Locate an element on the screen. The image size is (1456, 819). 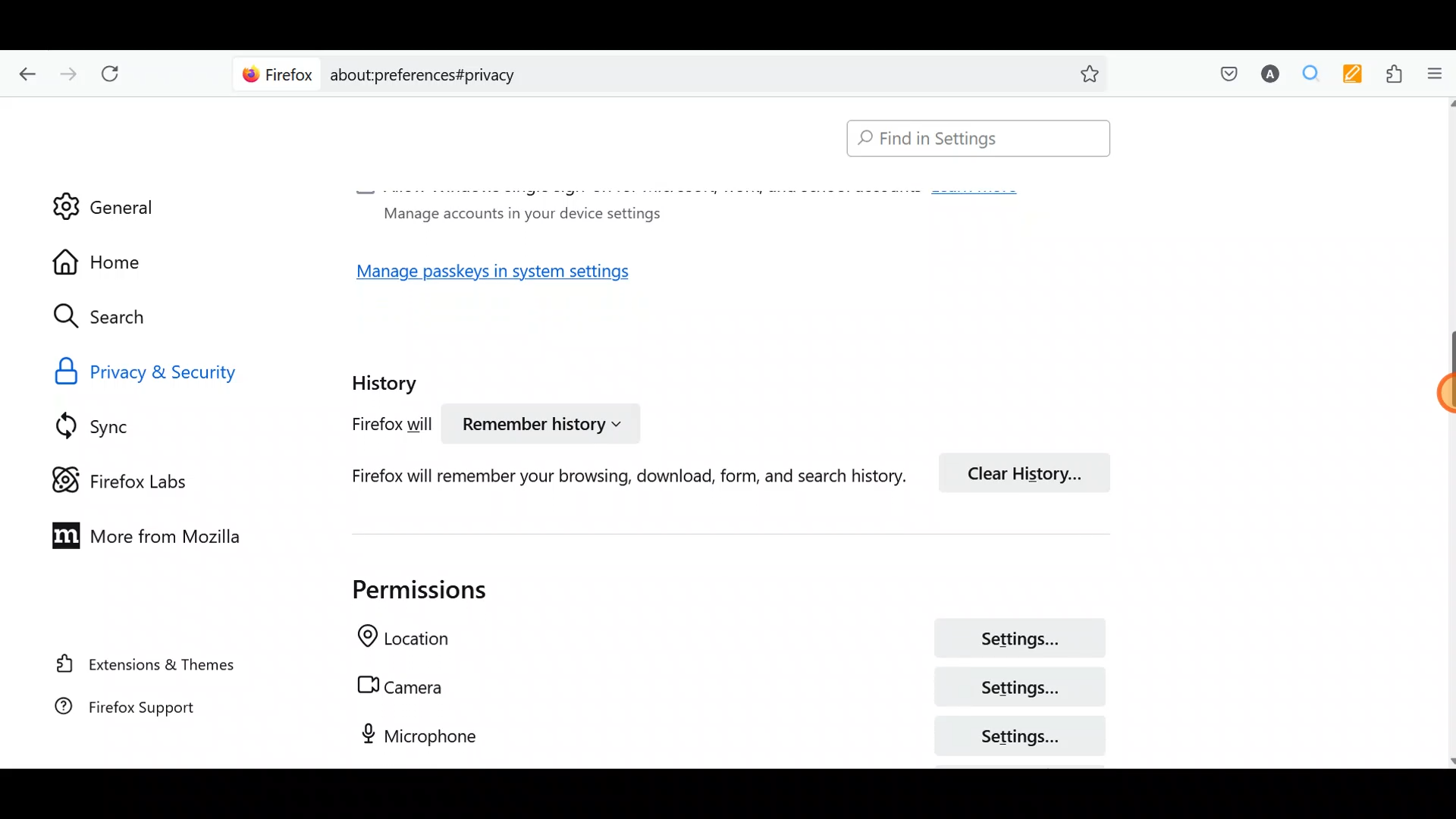
Open application menu is located at coordinates (1433, 75).